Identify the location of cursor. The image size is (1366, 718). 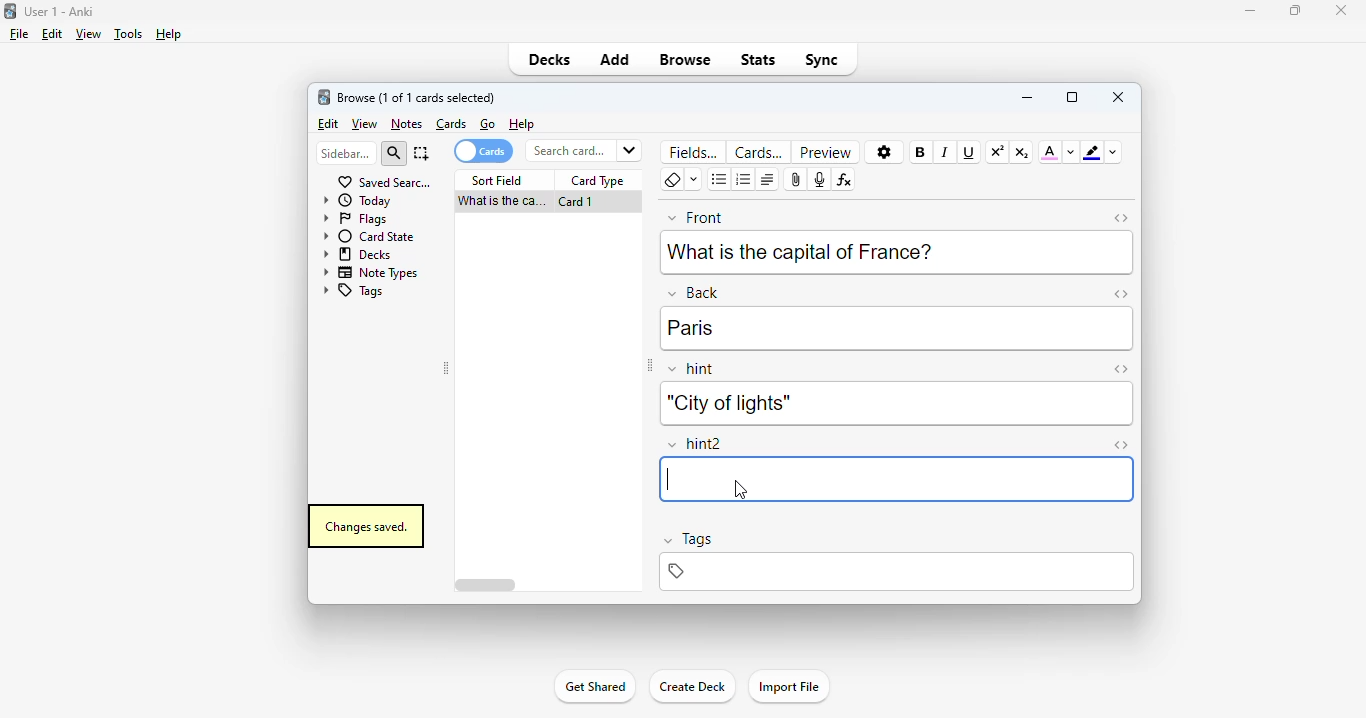
(740, 491).